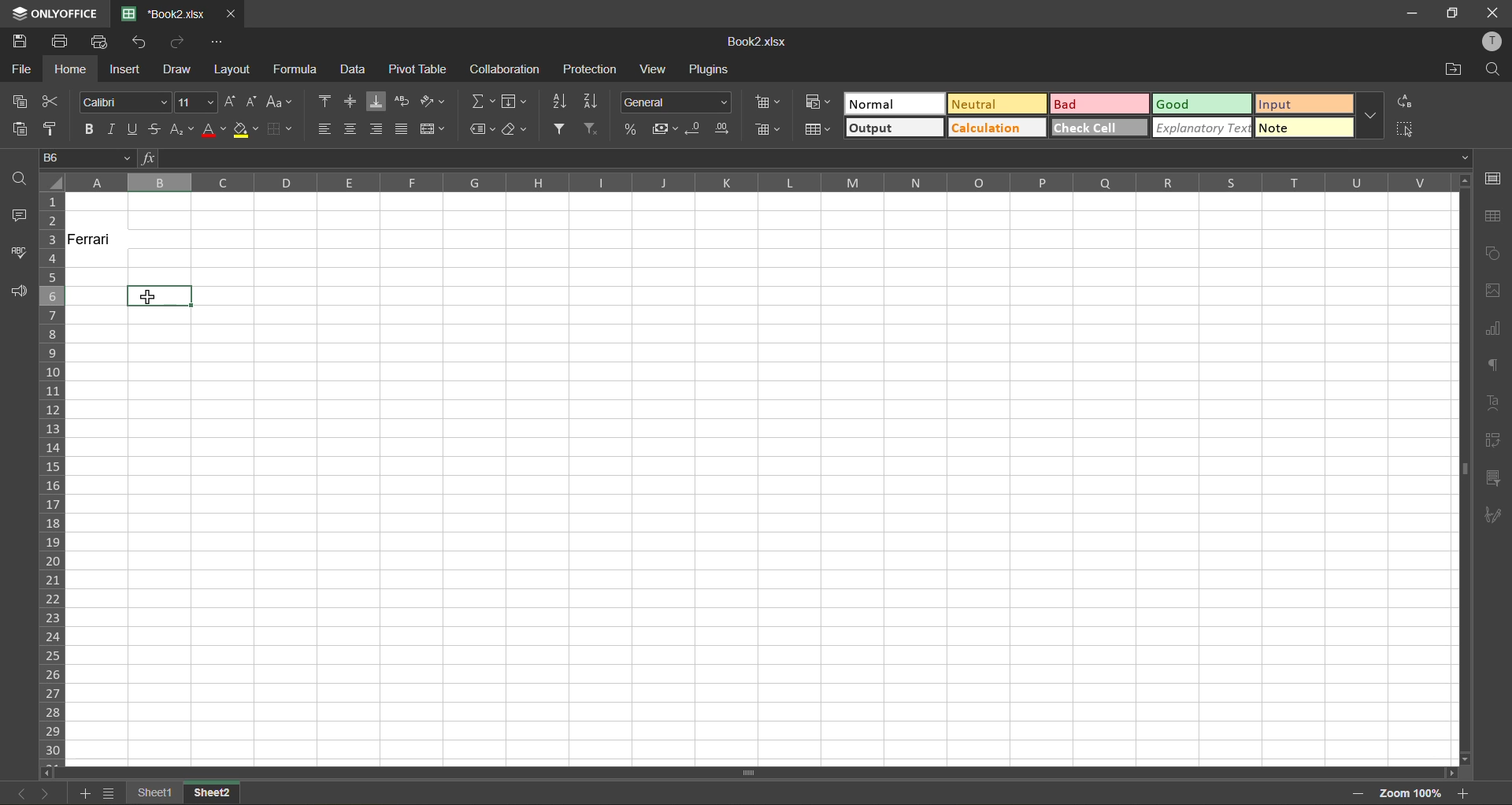 The image size is (1512, 805). Describe the element at coordinates (180, 40) in the screenshot. I see `redo` at that location.